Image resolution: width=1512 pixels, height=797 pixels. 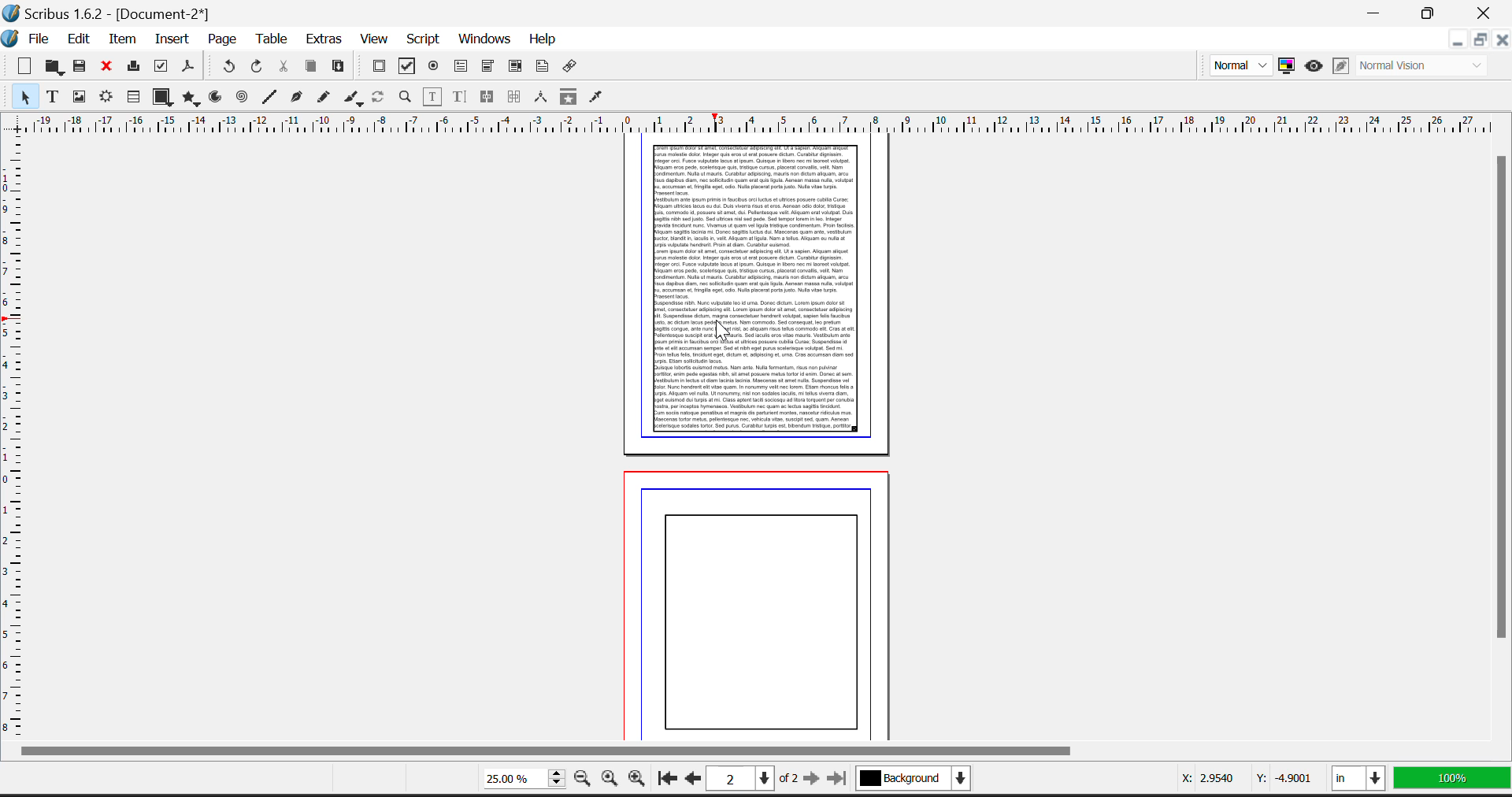 I want to click on Delink Text Frames, so click(x=516, y=97).